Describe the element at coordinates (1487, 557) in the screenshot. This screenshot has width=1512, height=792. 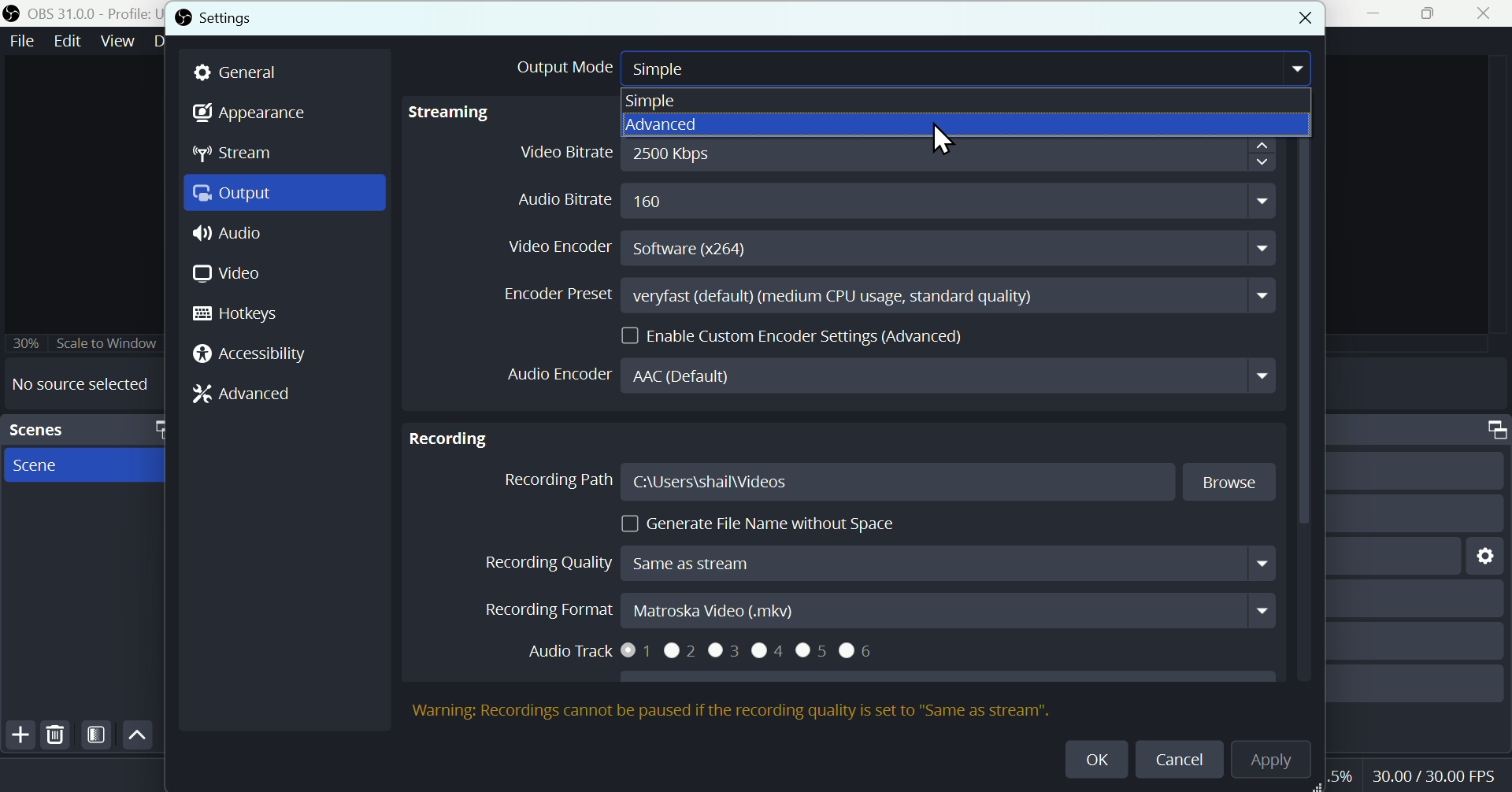
I see `settings` at that location.